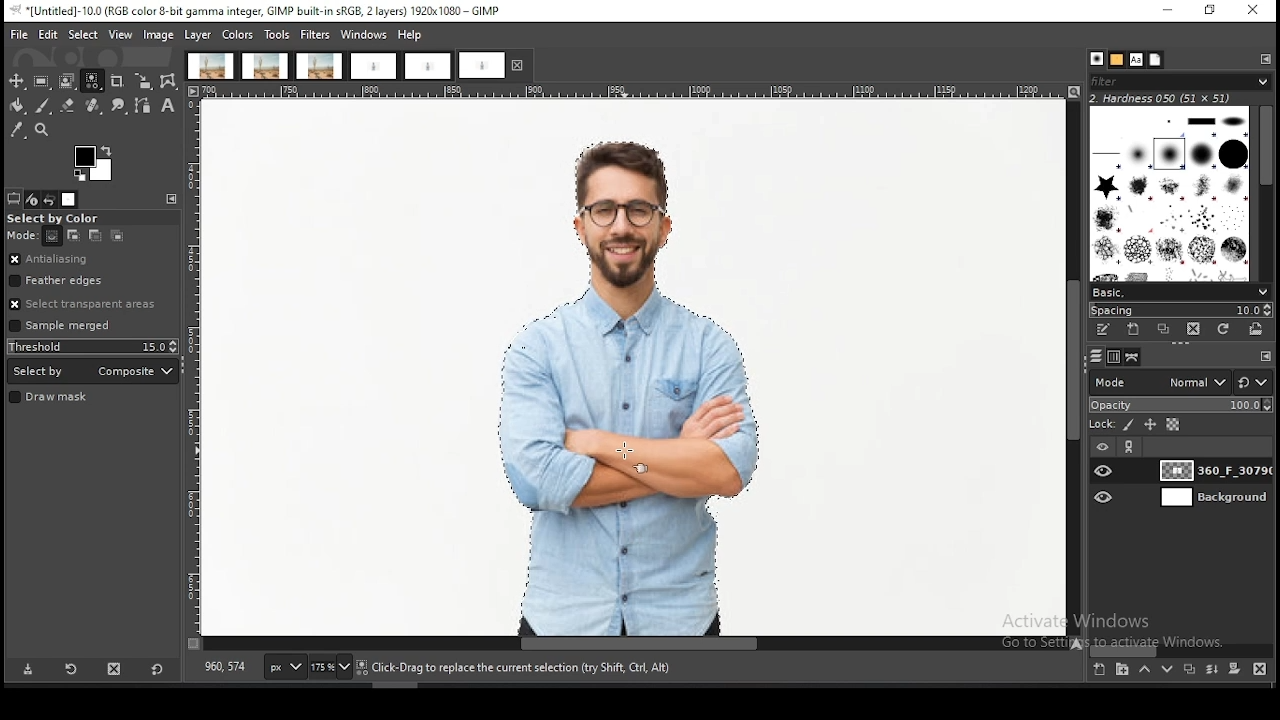 Image resolution: width=1280 pixels, height=720 pixels. I want to click on channels, so click(1116, 357).